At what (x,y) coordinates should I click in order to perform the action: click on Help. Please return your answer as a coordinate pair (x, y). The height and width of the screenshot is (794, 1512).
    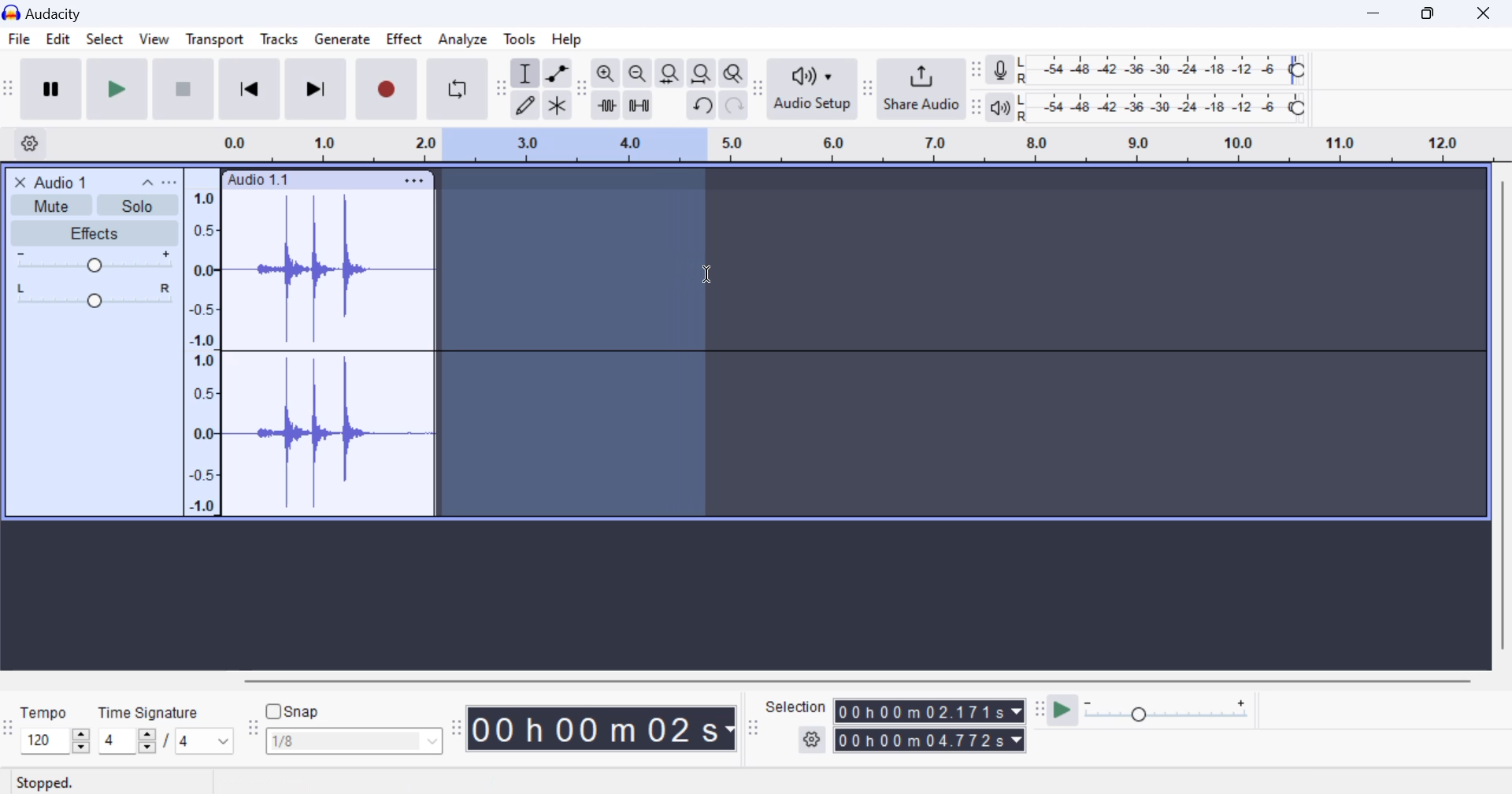
    Looking at the image, I should click on (570, 39).